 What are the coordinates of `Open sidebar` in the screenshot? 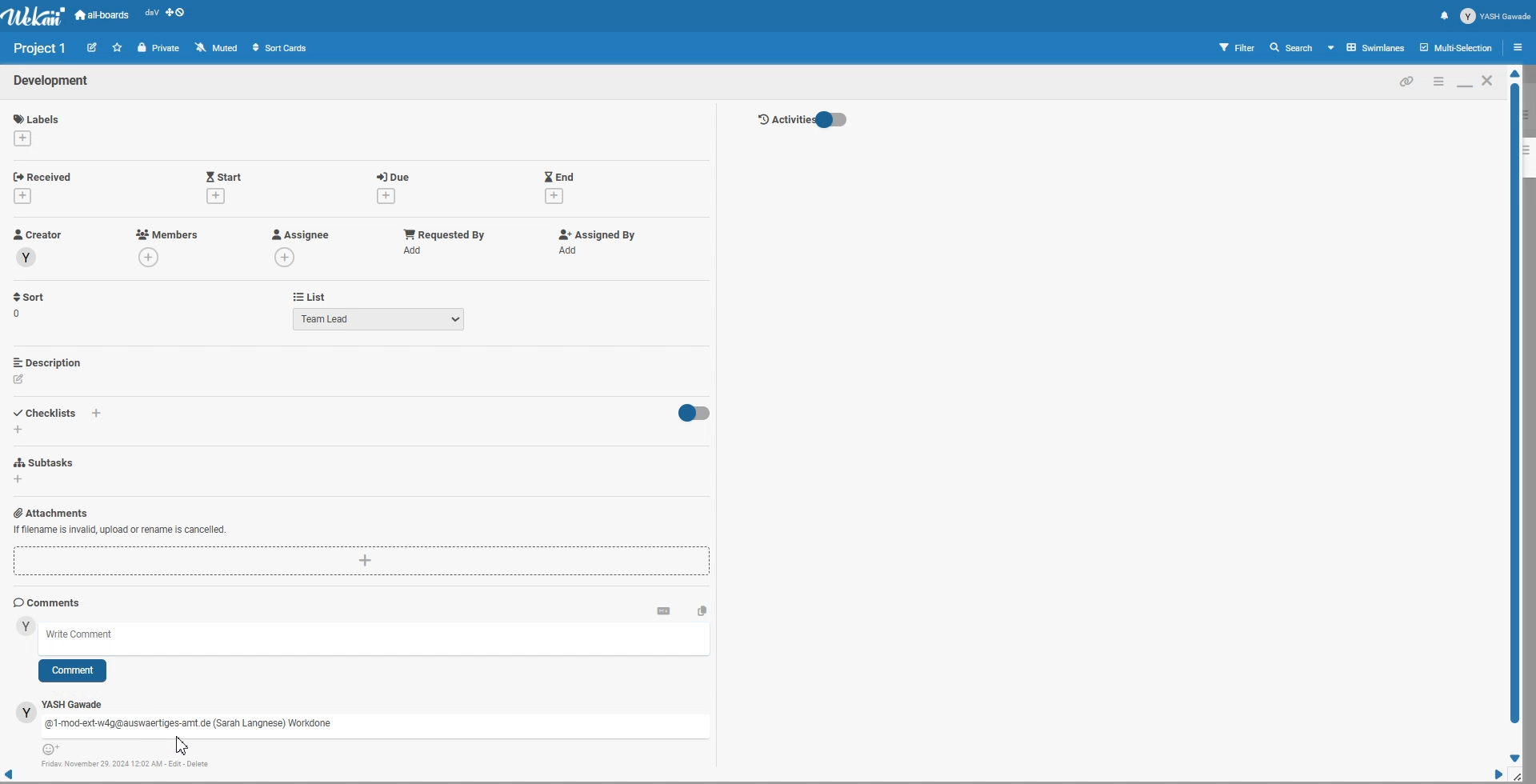 It's located at (1521, 46).